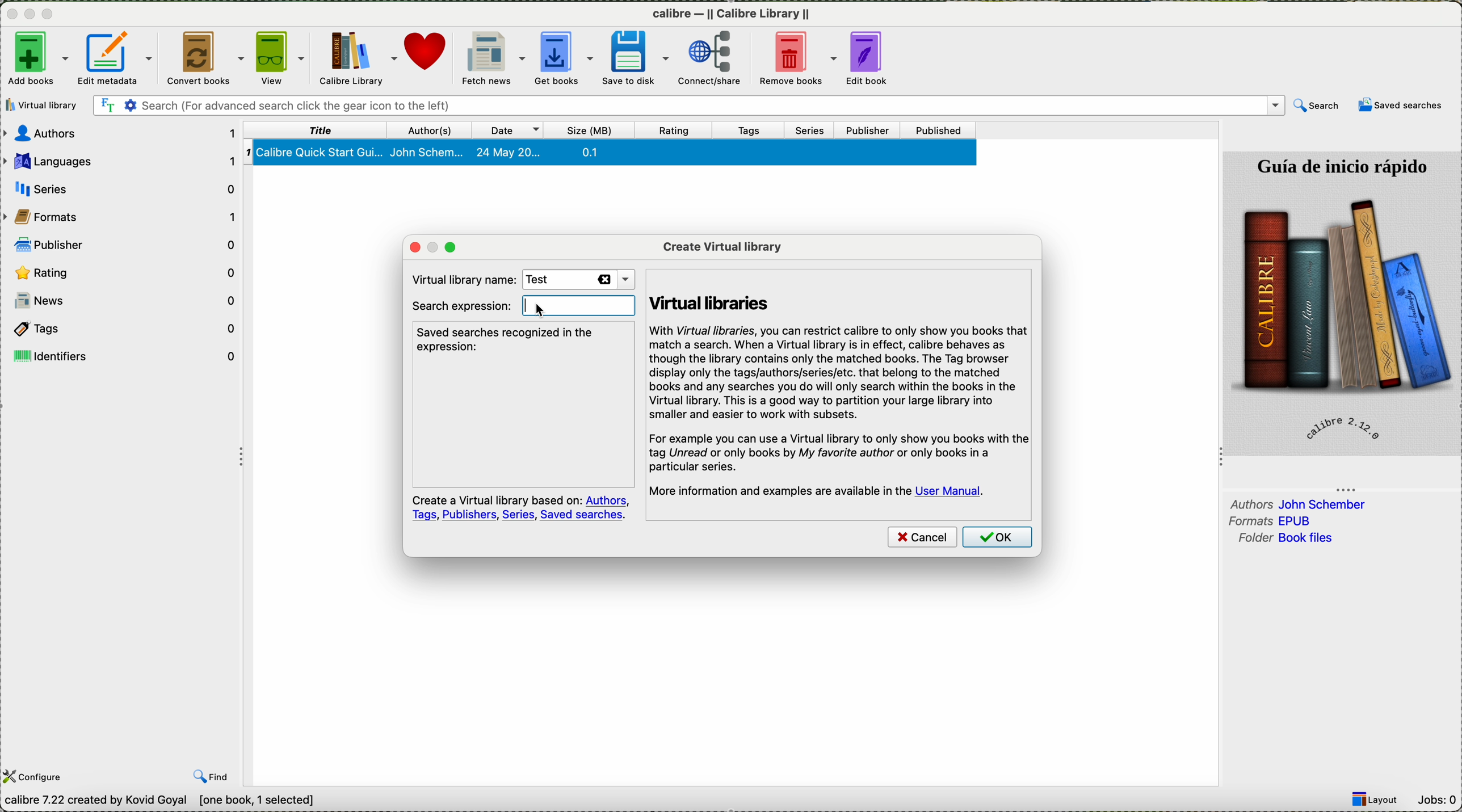 This screenshot has width=1462, height=812. I want to click on rating, so click(676, 129).